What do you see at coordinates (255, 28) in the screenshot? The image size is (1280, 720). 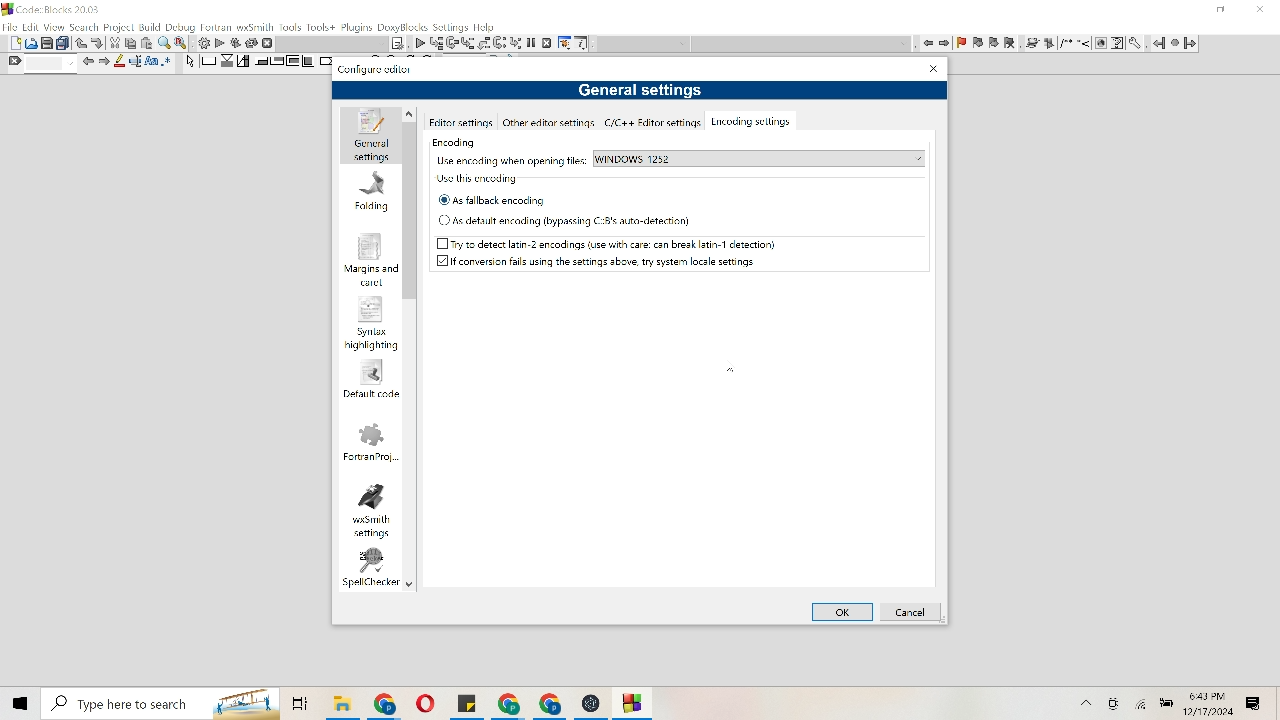 I see `wxsmith` at bounding box center [255, 28].